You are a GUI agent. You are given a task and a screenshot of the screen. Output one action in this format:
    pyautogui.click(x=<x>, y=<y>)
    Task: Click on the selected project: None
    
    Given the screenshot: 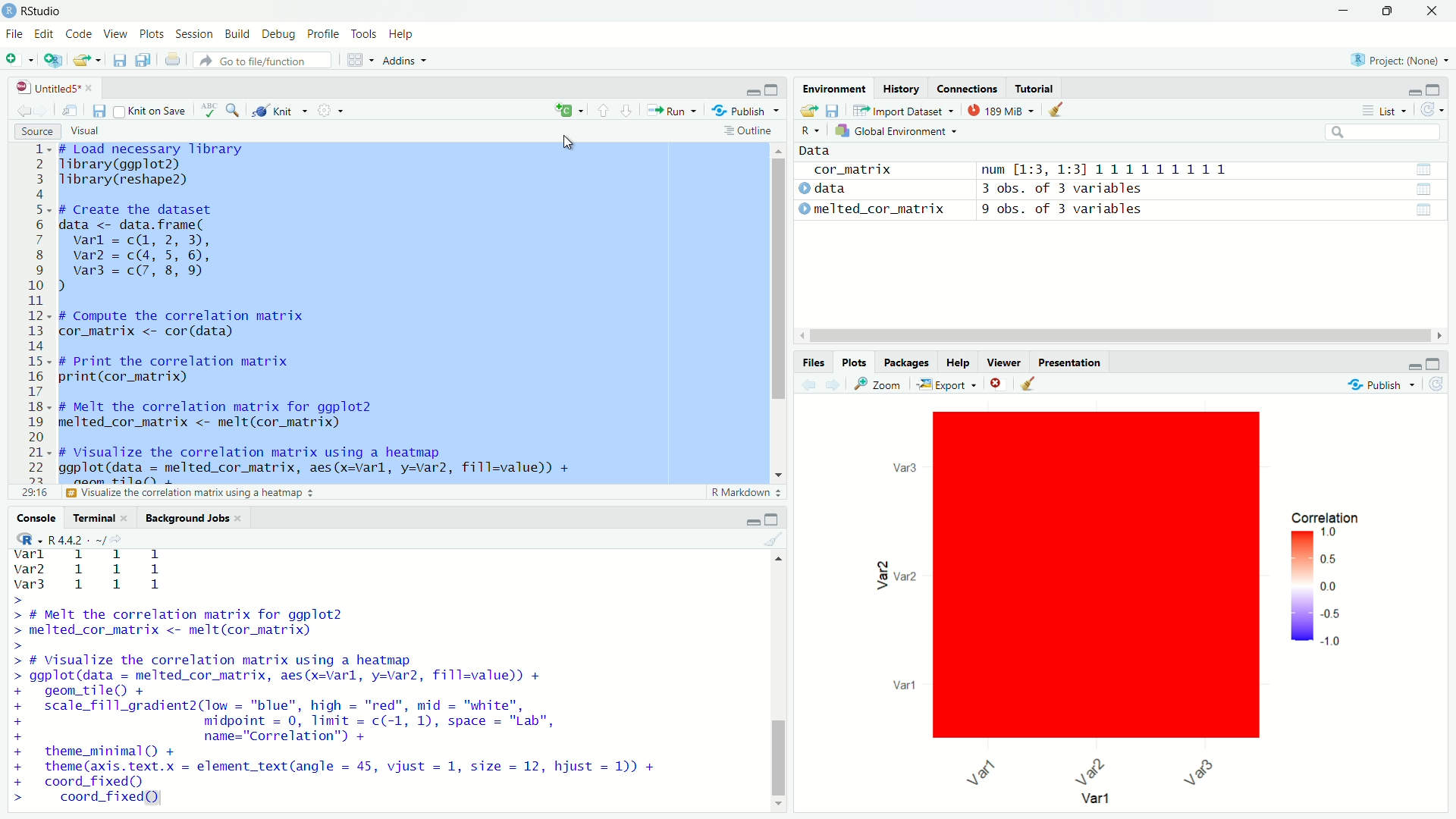 What is the action you would take?
    pyautogui.click(x=1401, y=58)
    